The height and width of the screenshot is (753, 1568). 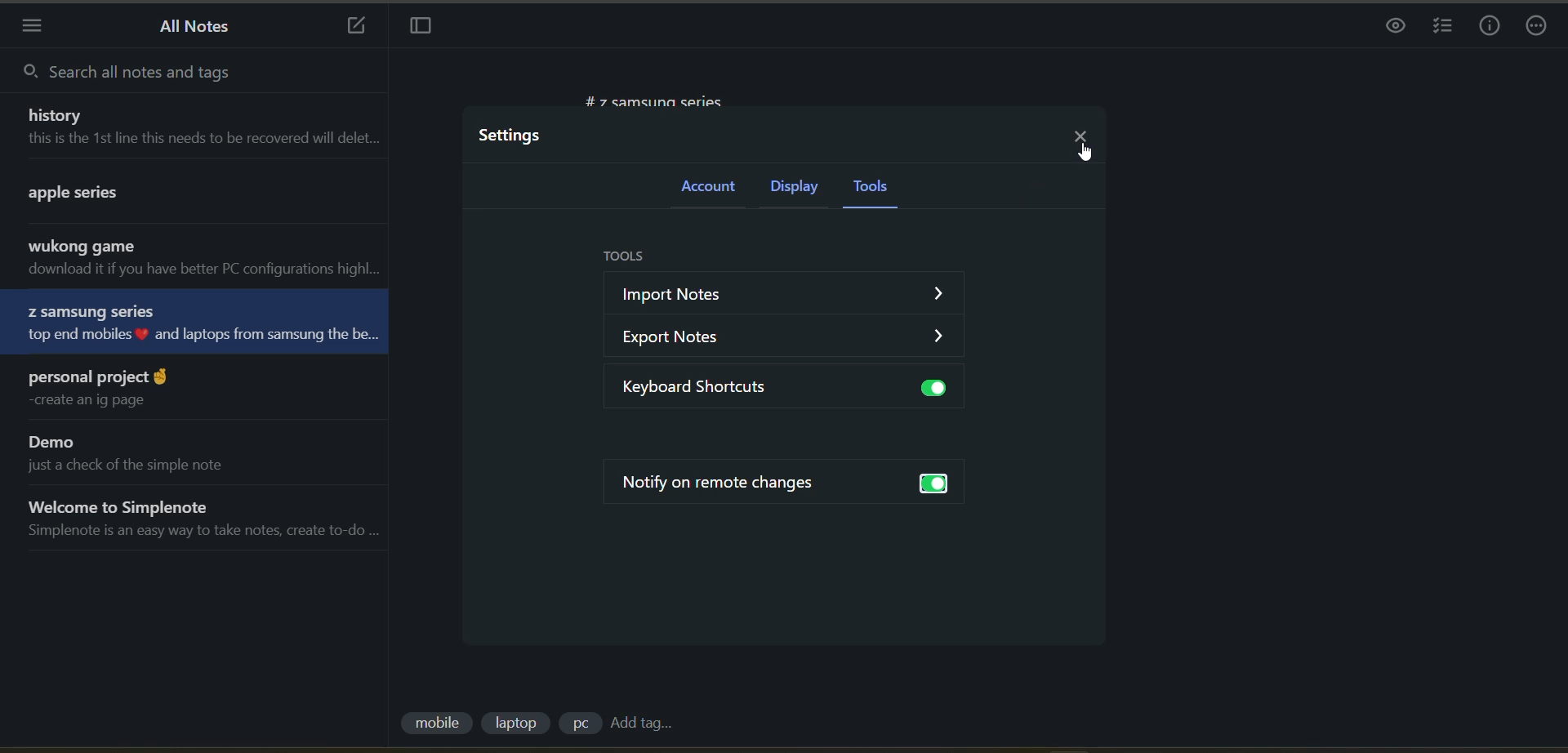 What do you see at coordinates (422, 26) in the screenshot?
I see `toggle focus mode` at bounding box center [422, 26].